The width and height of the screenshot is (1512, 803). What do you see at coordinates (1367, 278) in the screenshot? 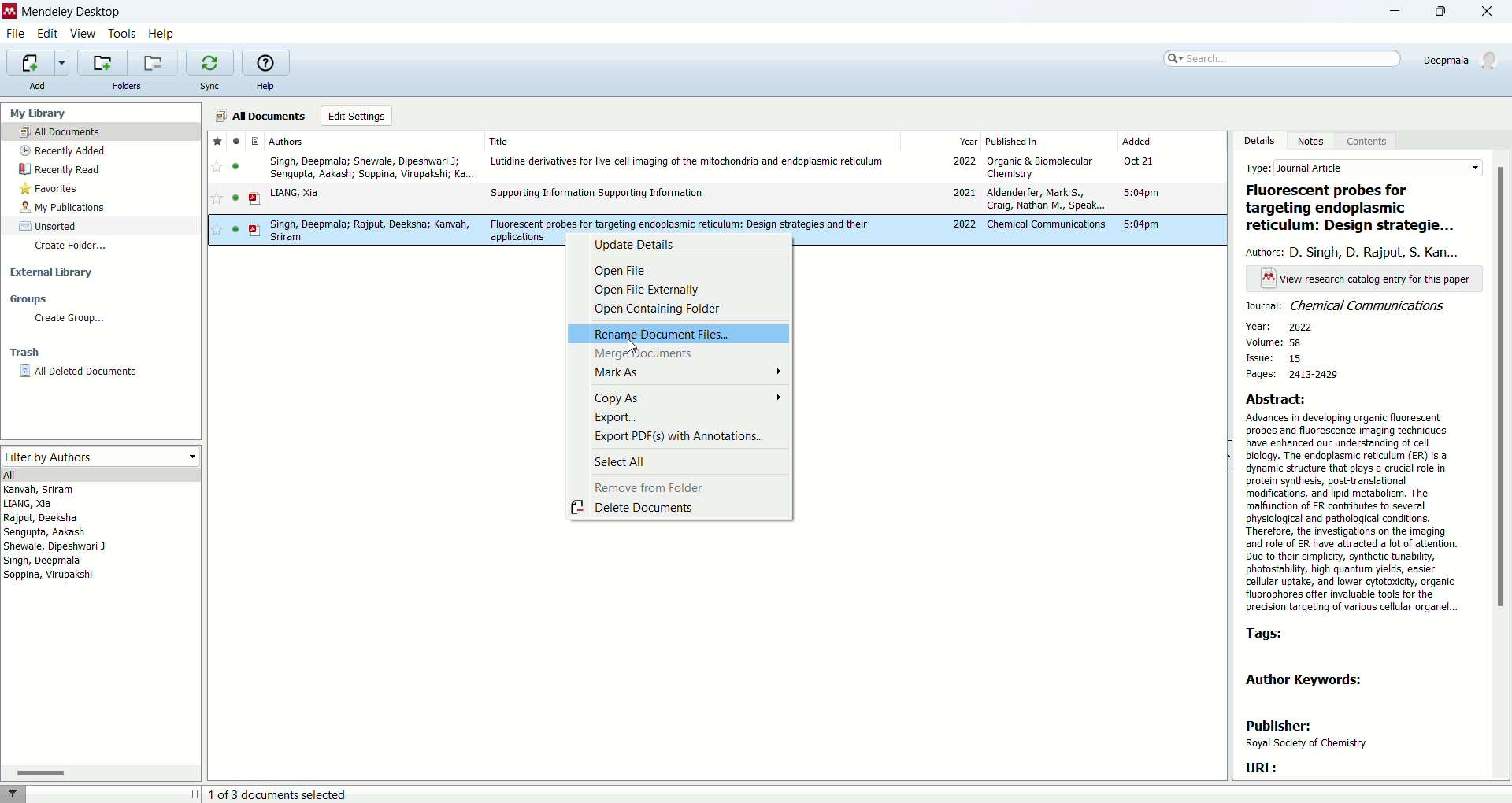
I see `text` at bounding box center [1367, 278].